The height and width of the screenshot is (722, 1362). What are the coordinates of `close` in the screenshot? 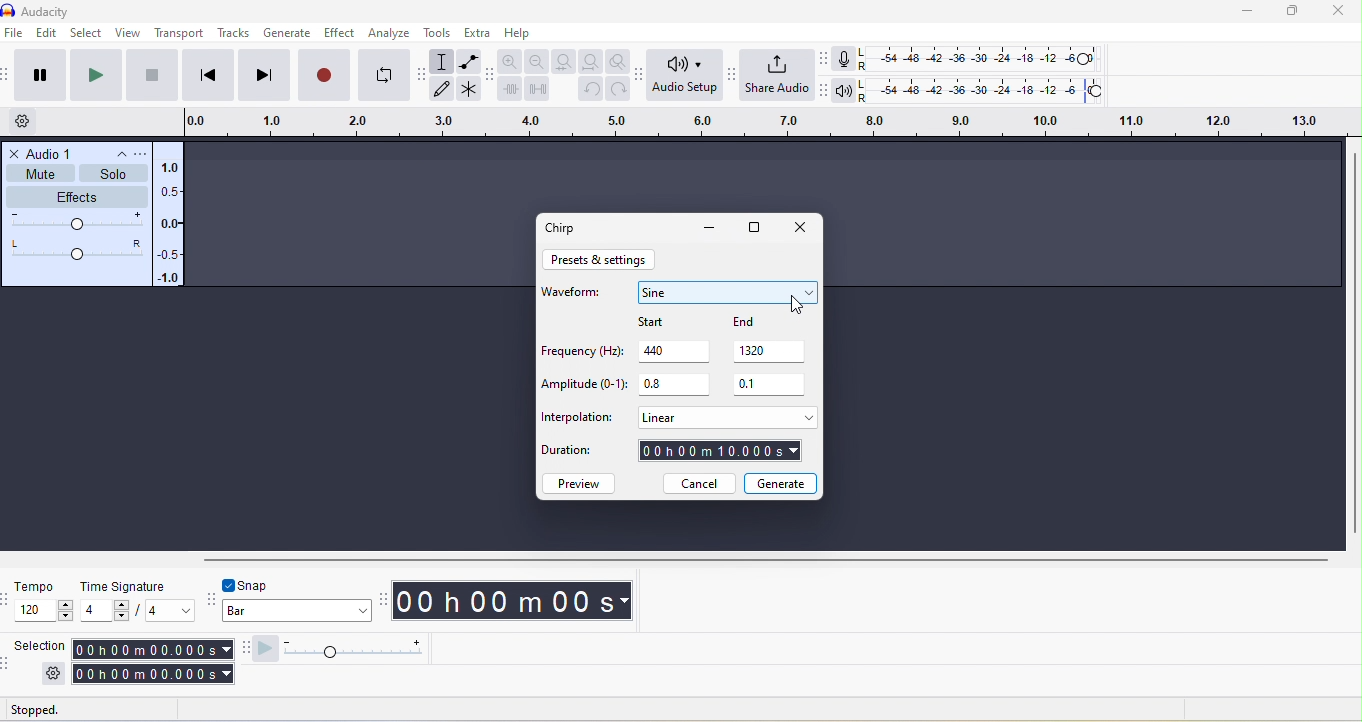 It's located at (800, 229).